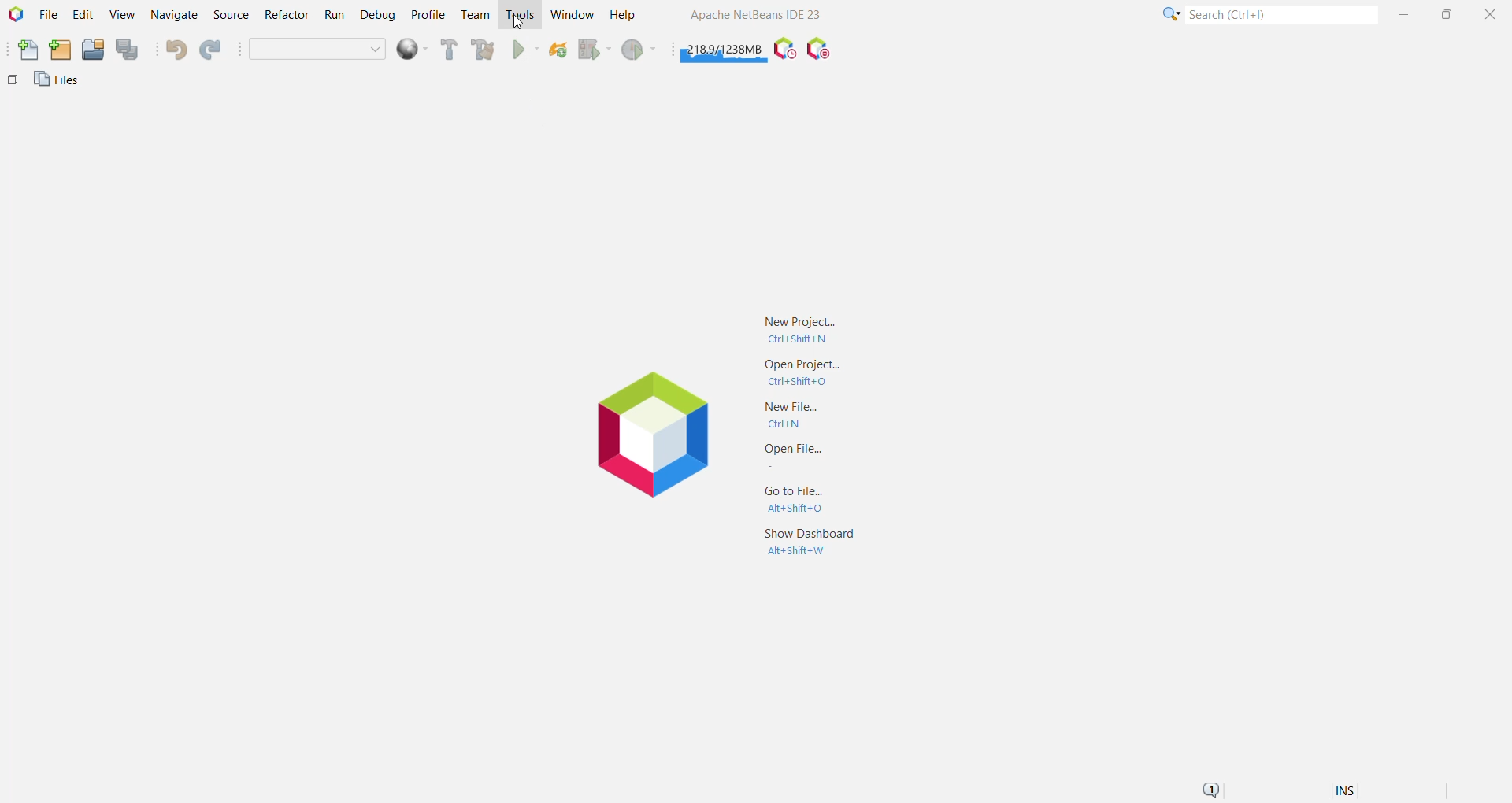  What do you see at coordinates (1280, 13) in the screenshot?
I see `Search` at bounding box center [1280, 13].